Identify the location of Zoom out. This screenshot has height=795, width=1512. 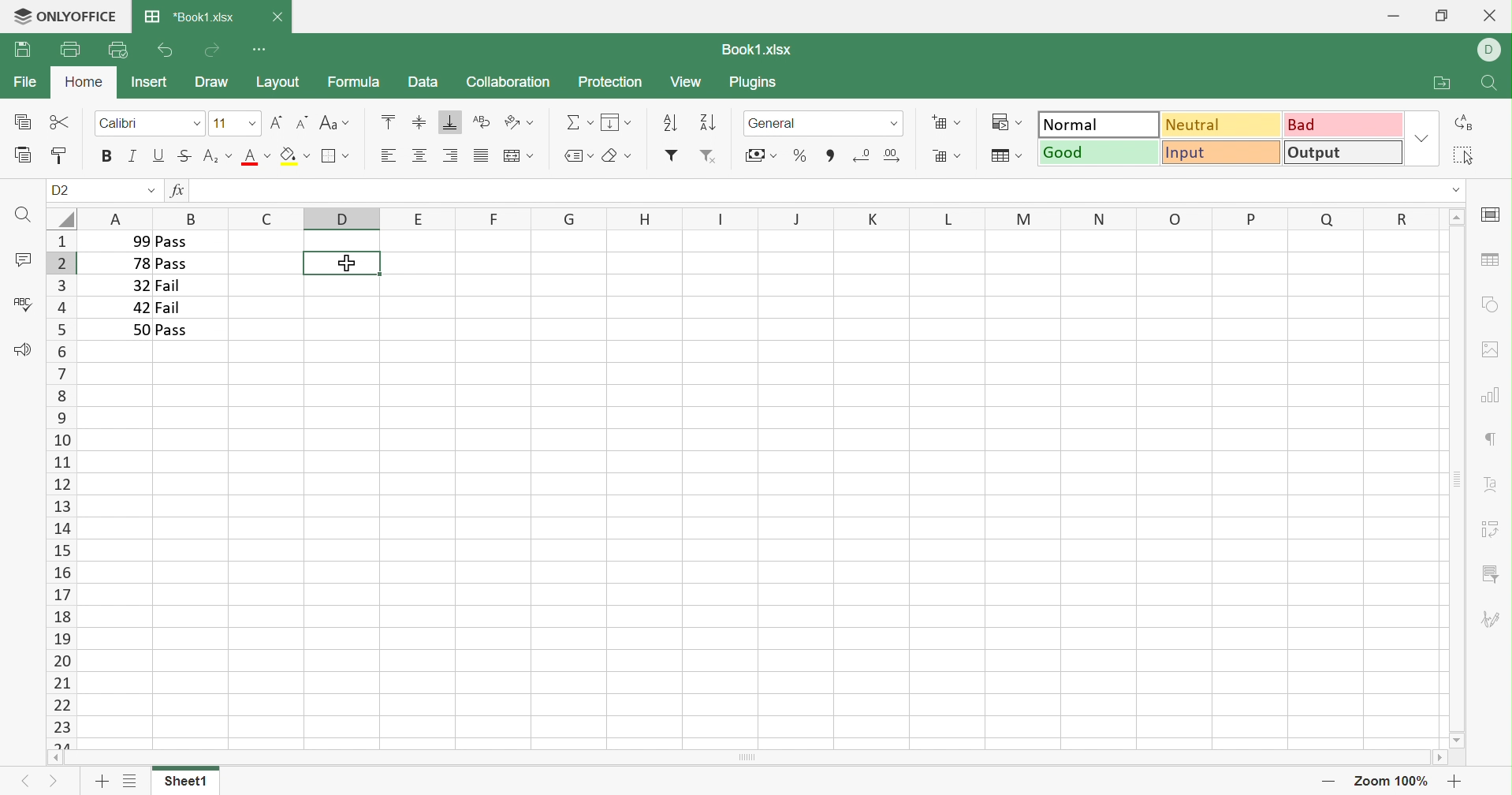
(1328, 784).